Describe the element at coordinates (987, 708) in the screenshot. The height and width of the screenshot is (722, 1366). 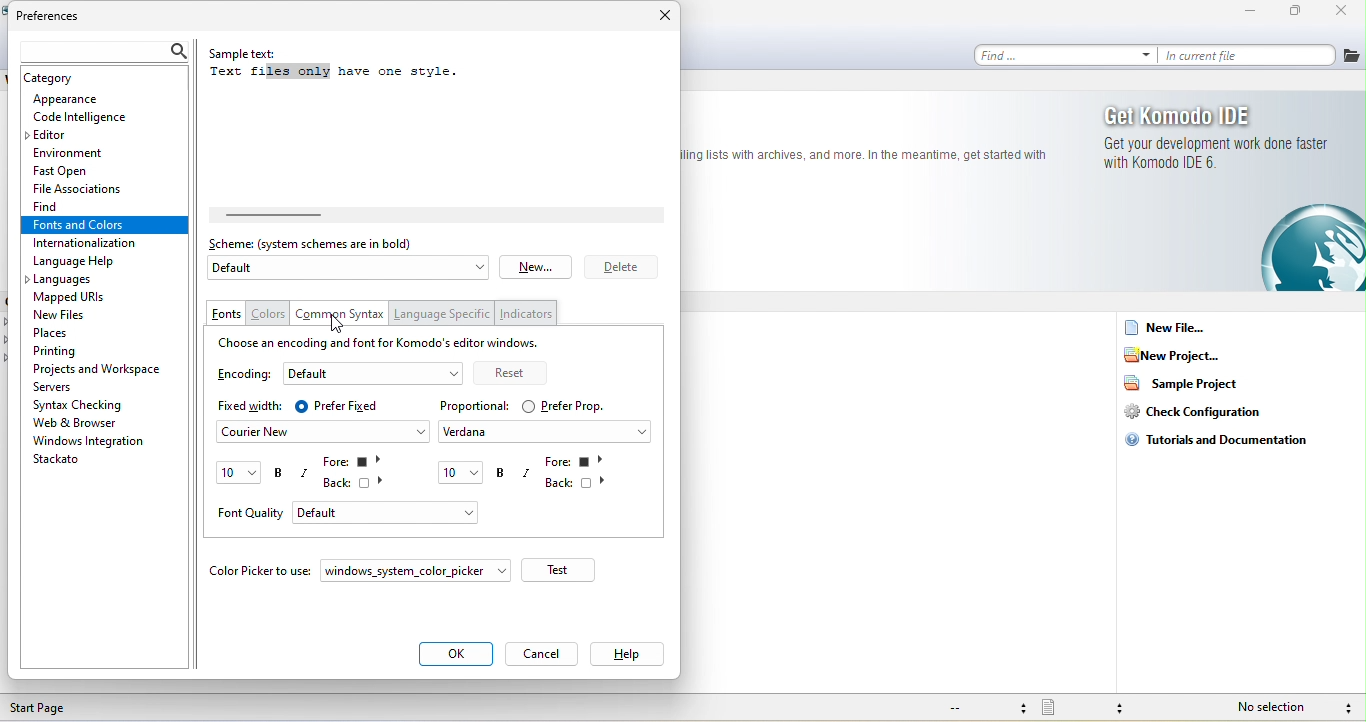
I see `file encoding` at that location.